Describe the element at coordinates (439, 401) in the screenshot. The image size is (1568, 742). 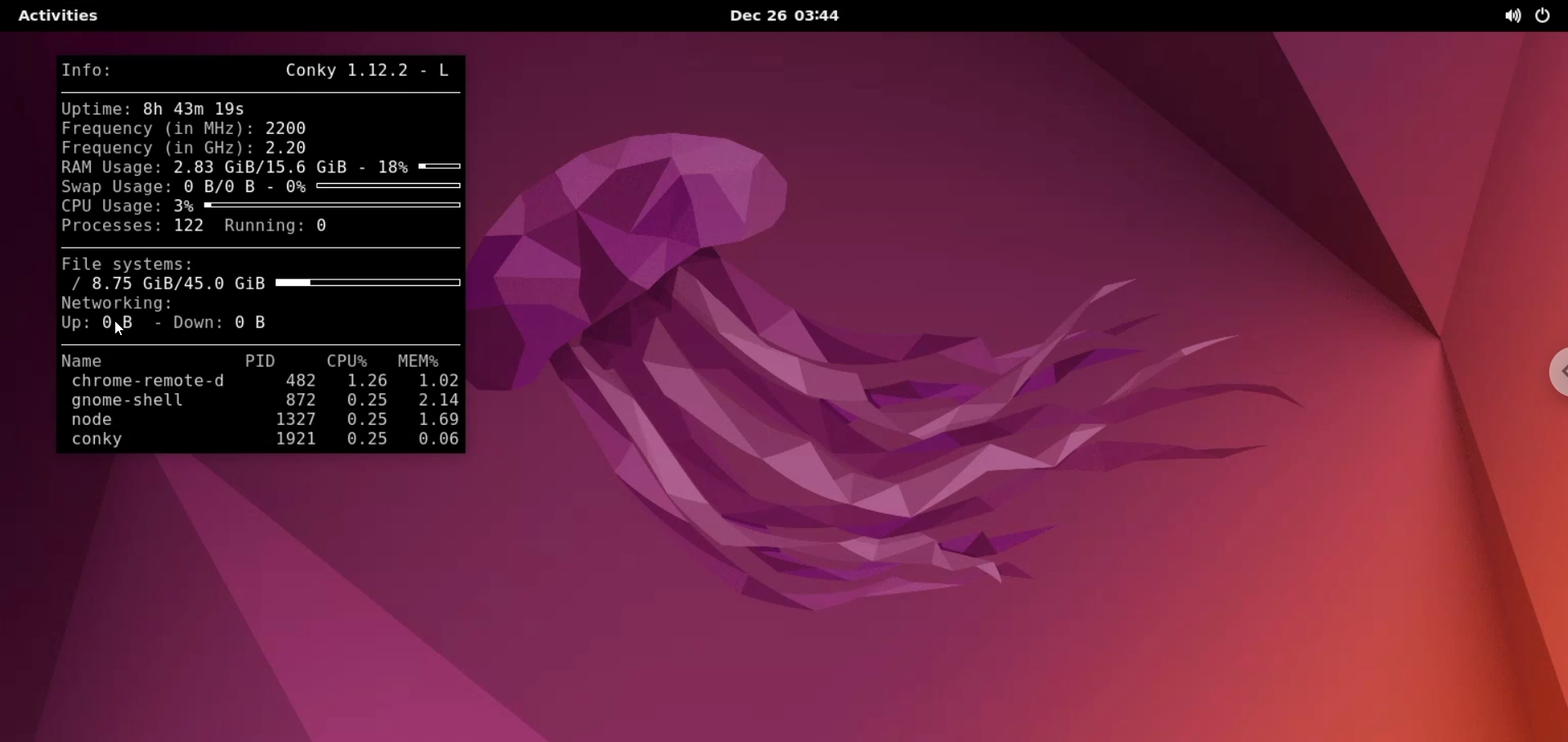
I see `2.14` at that location.